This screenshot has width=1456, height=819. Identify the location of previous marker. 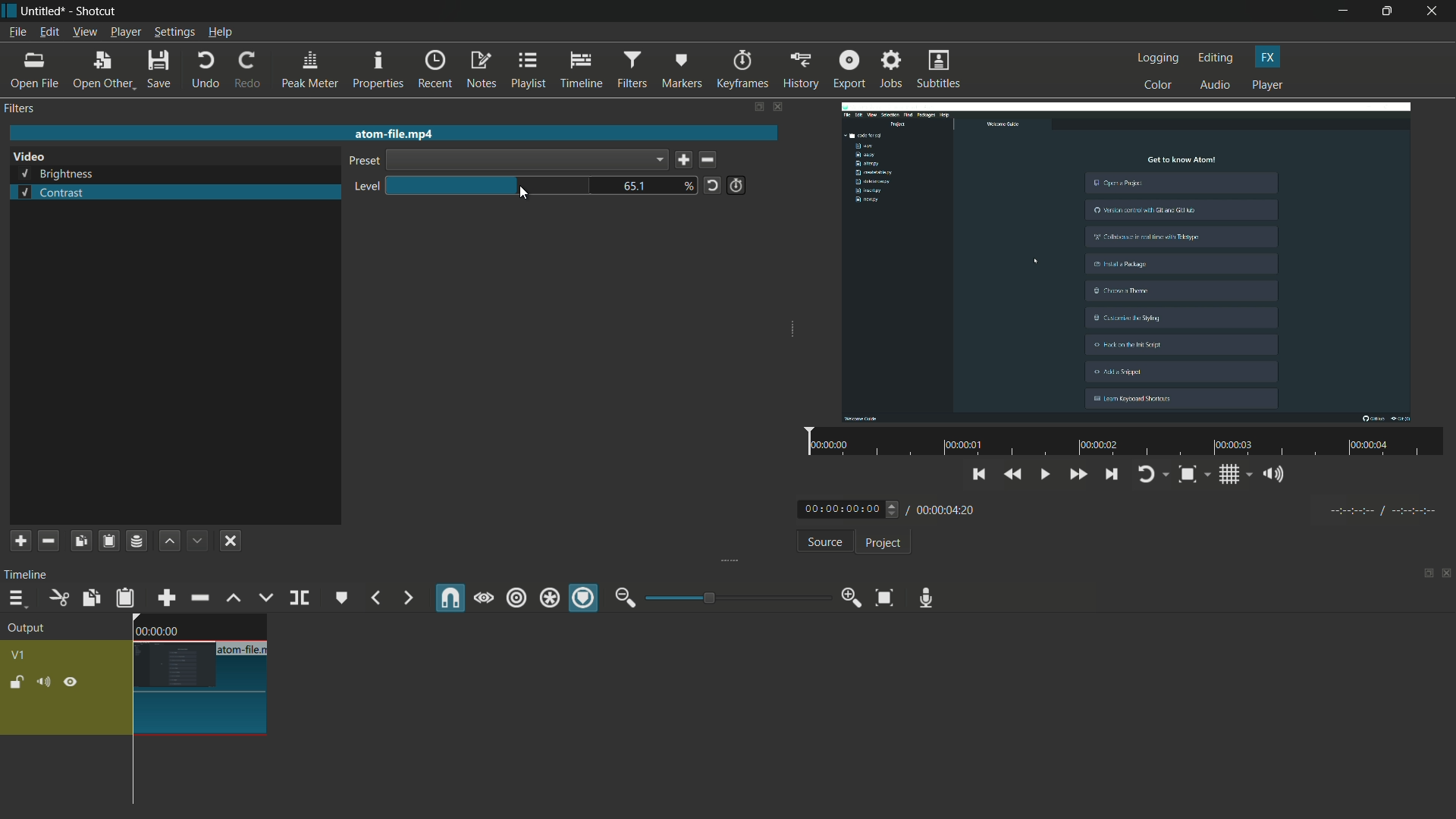
(375, 598).